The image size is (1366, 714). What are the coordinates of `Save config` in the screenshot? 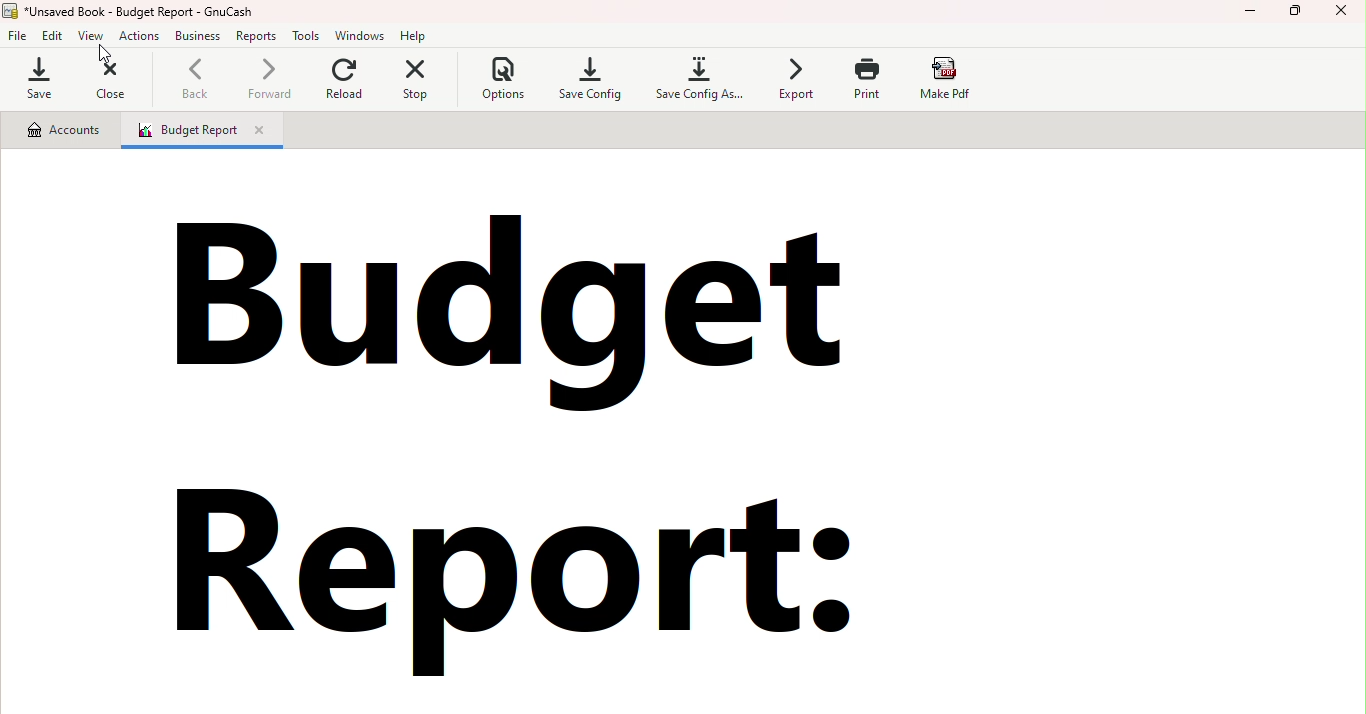 It's located at (588, 81).